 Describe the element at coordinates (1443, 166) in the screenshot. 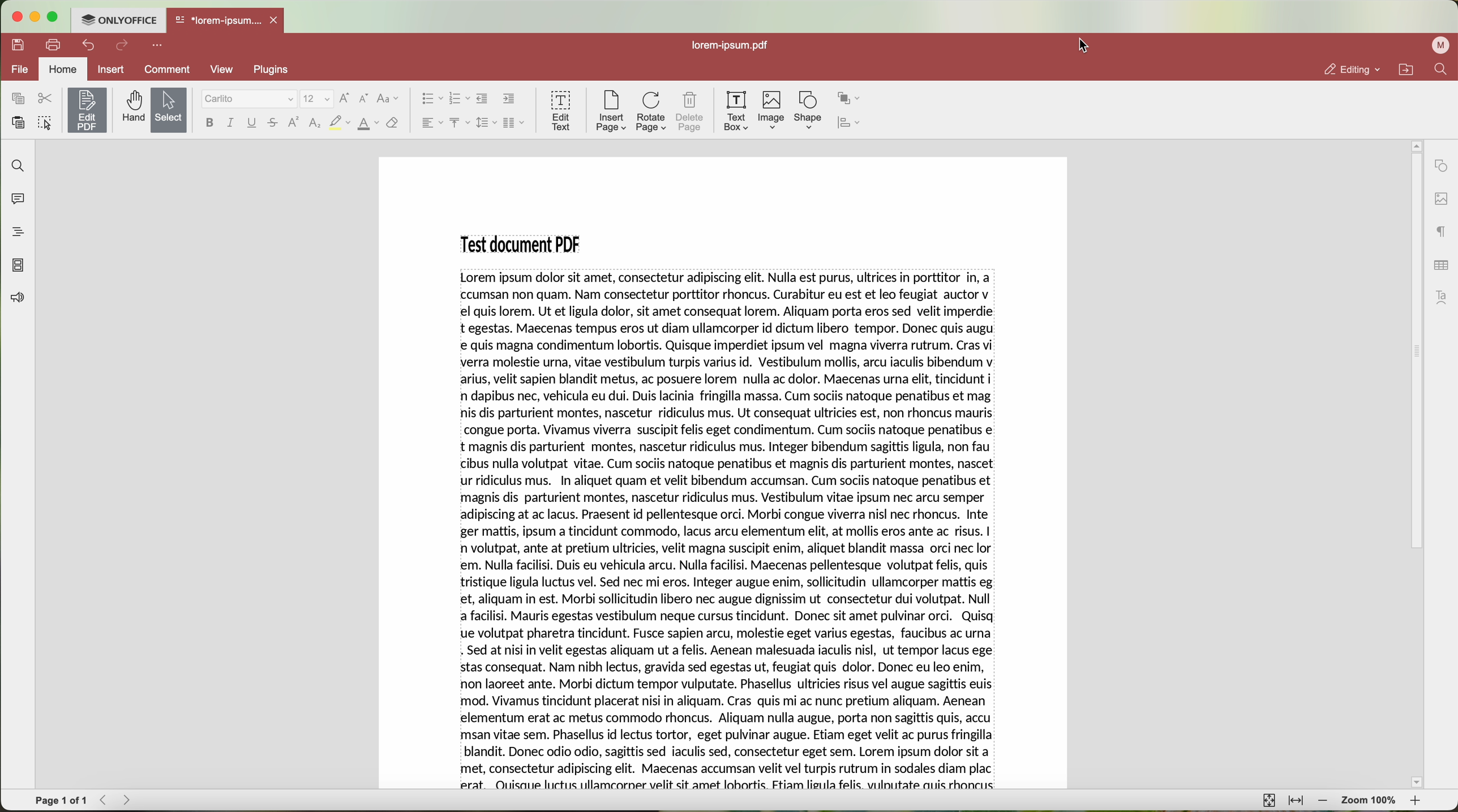

I see `shape settings` at that location.